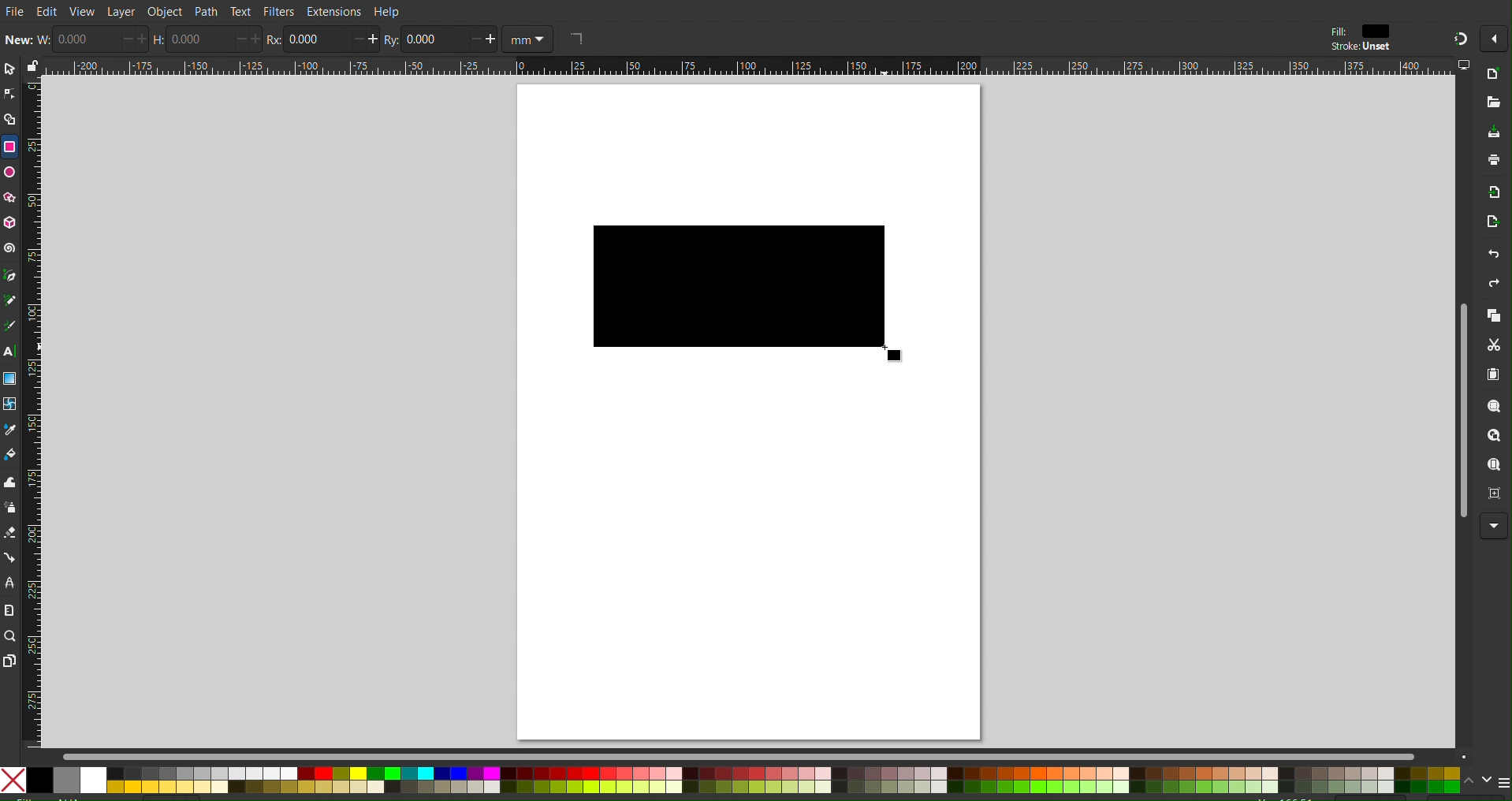 The image size is (1512, 801). What do you see at coordinates (9, 224) in the screenshot?
I see `3D Box Tool` at bounding box center [9, 224].